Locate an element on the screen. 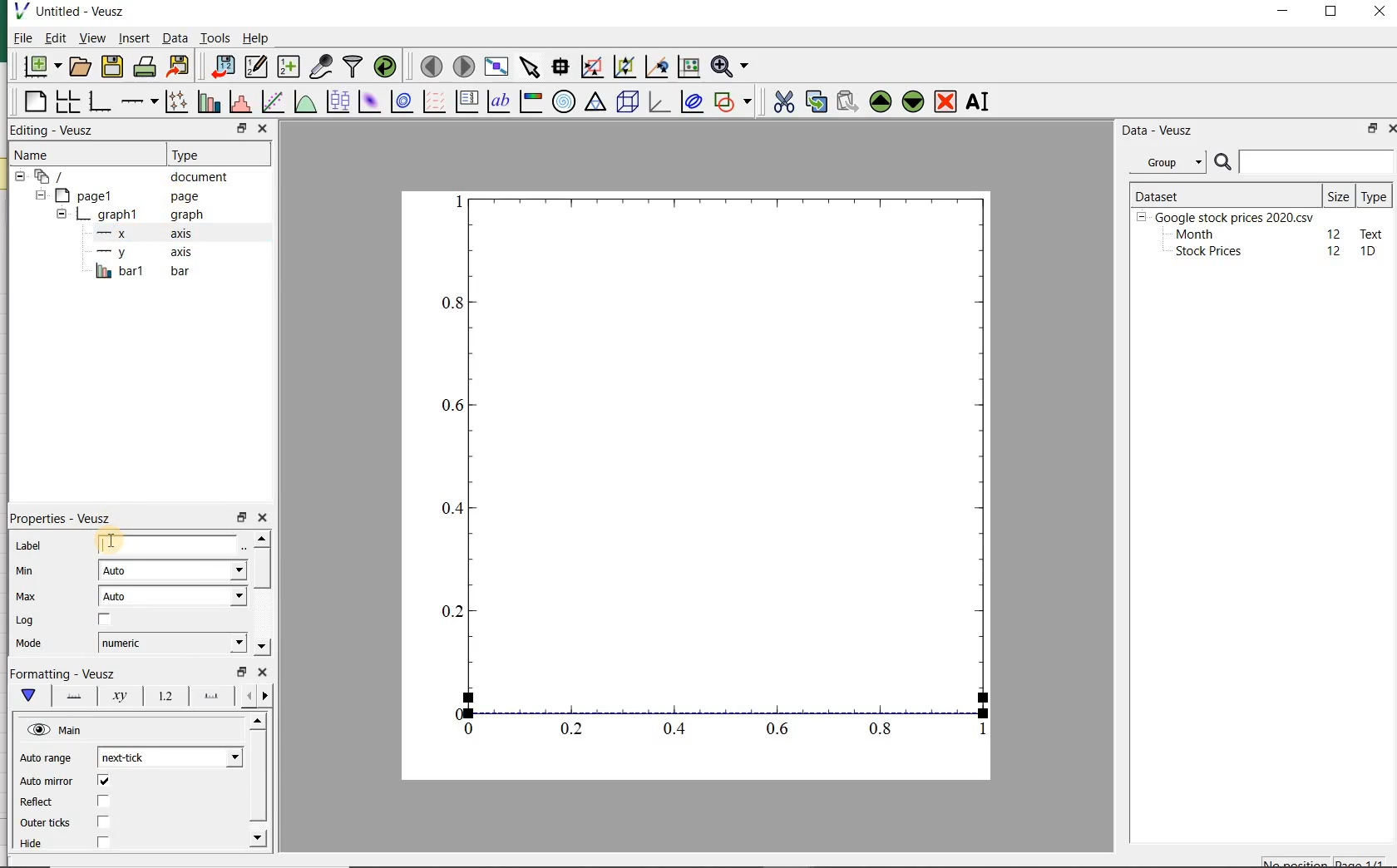 The height and width of the screenshot is (868, 1397). move to the previous page is located at coordinates (429, 65).